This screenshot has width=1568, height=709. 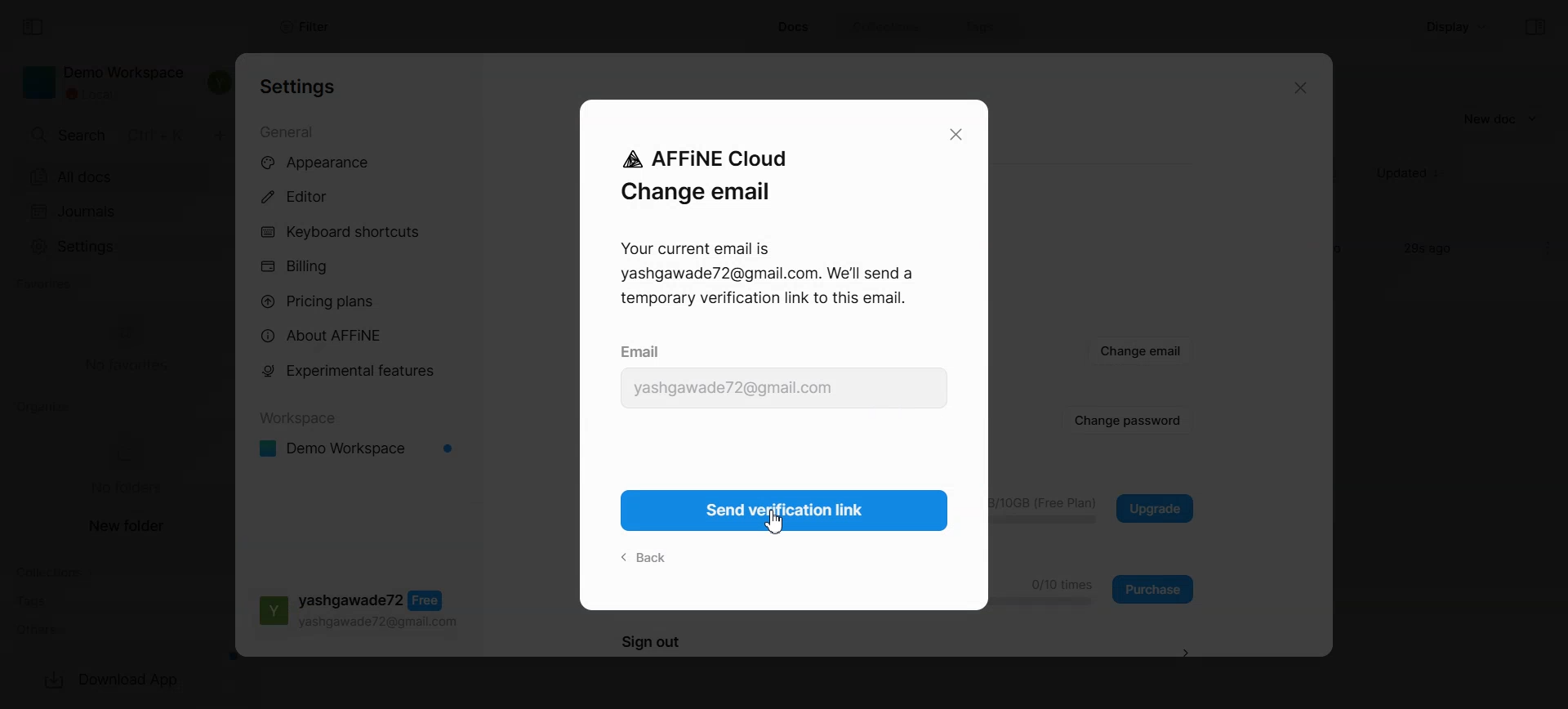 I want to click on settings, so click(x=300, y=87).